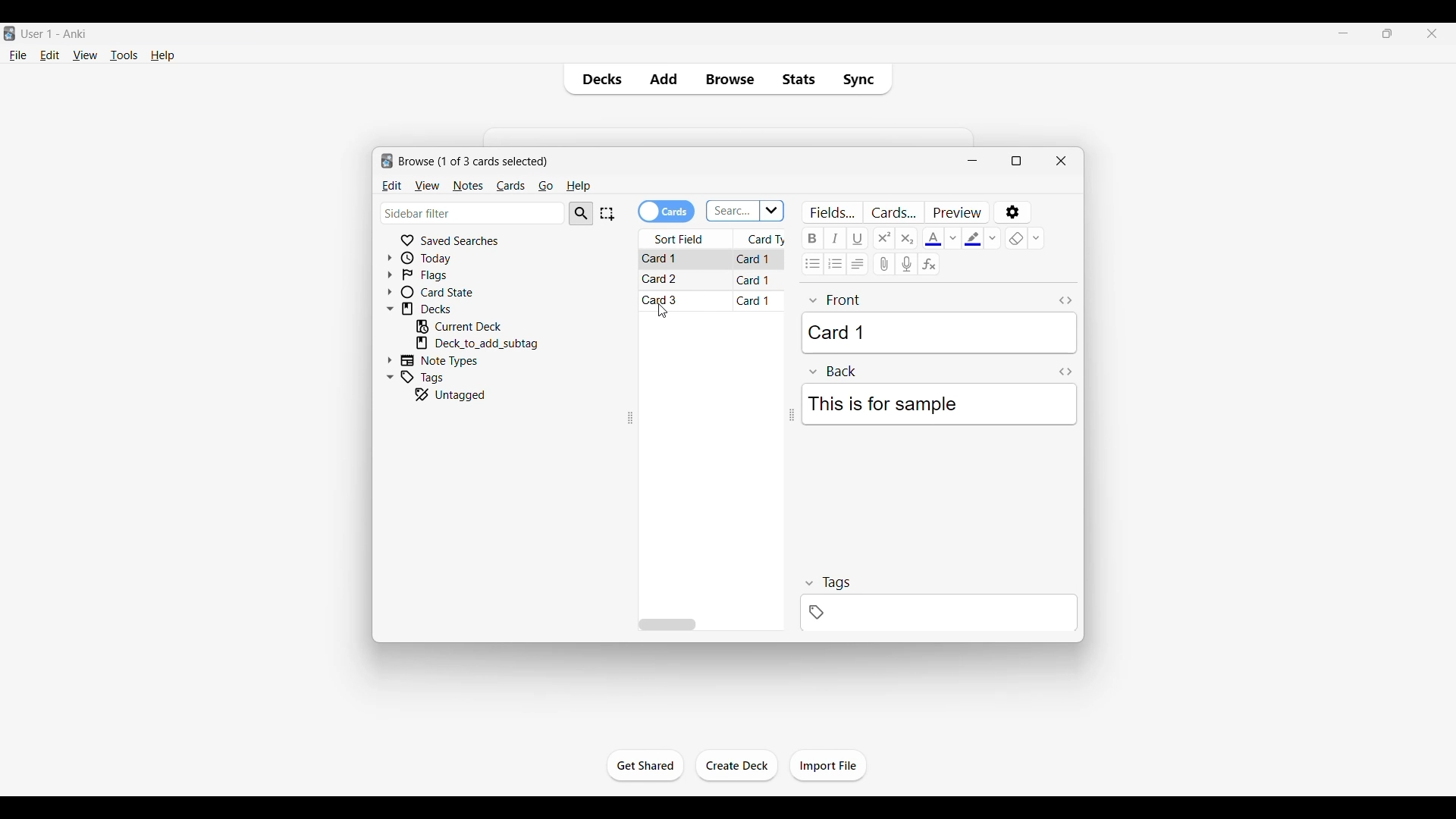 This screenshot has width=1456, height=819. I want to click on Customize fields, so click(833, 212).